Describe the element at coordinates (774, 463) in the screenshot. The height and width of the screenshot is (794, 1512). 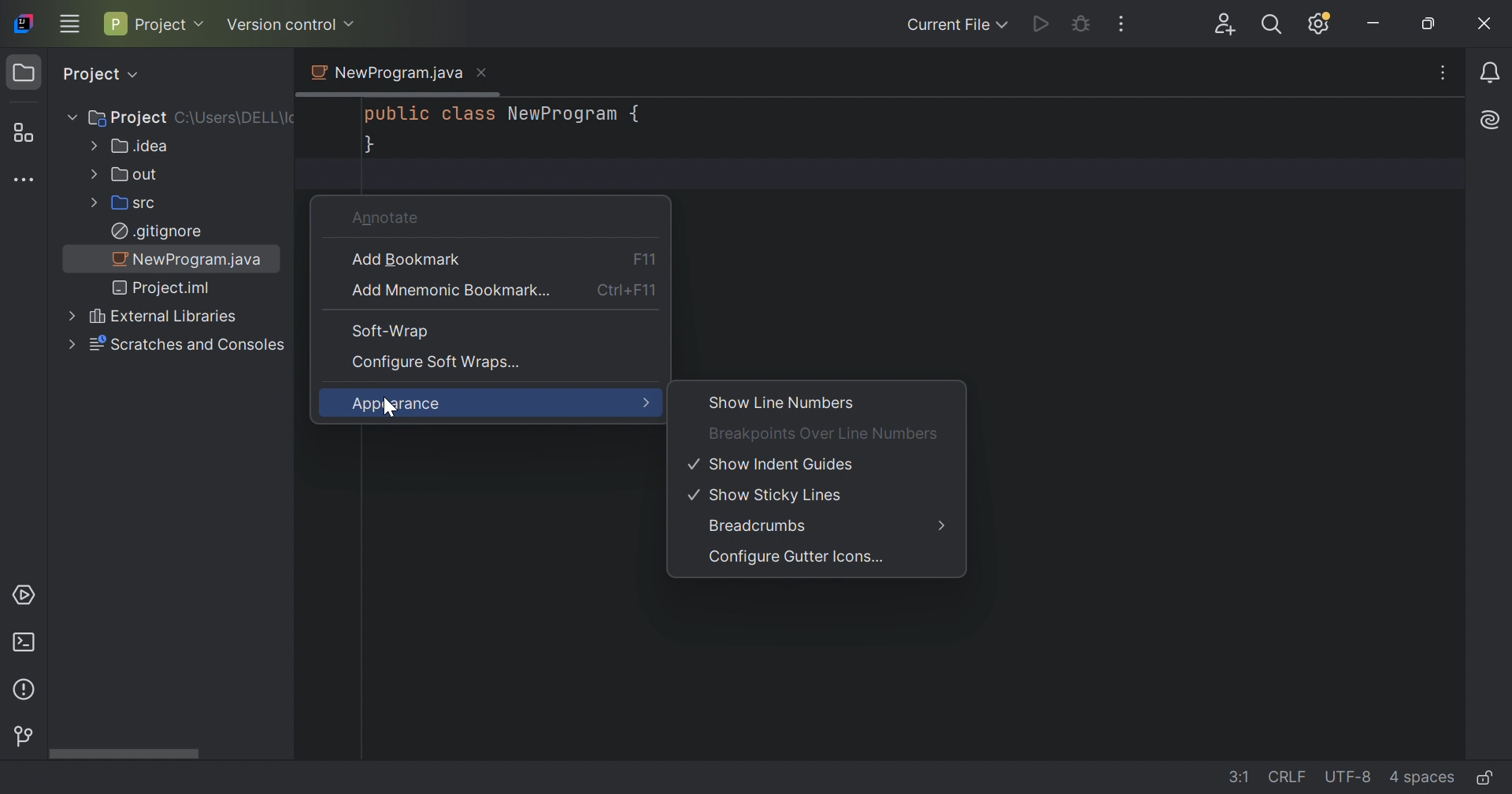
I see `Show Indent Guides` at that location.